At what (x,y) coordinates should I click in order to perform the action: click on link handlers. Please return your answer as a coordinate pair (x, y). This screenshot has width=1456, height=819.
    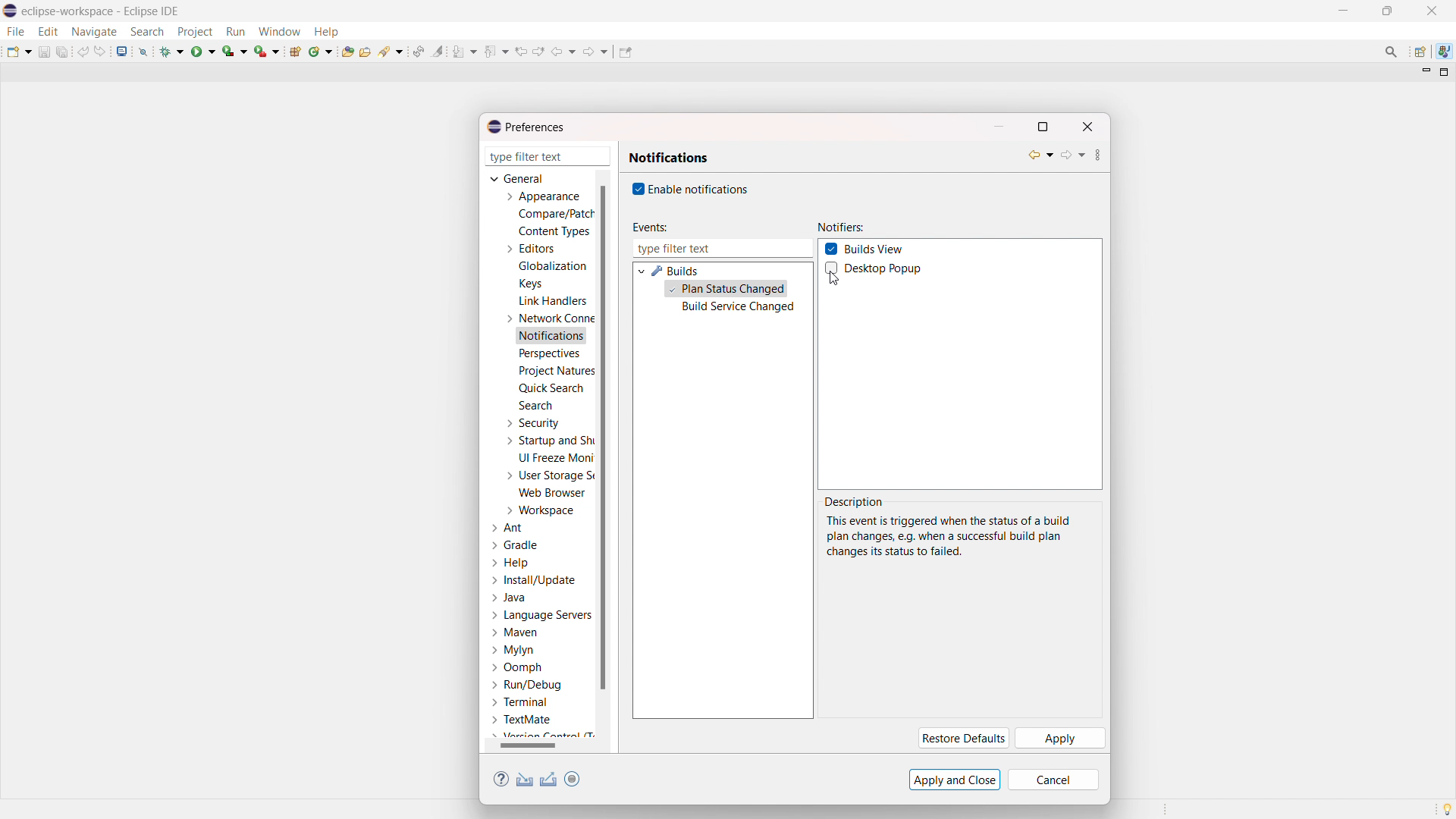
    Looking at the image, I should click on (553, 301).